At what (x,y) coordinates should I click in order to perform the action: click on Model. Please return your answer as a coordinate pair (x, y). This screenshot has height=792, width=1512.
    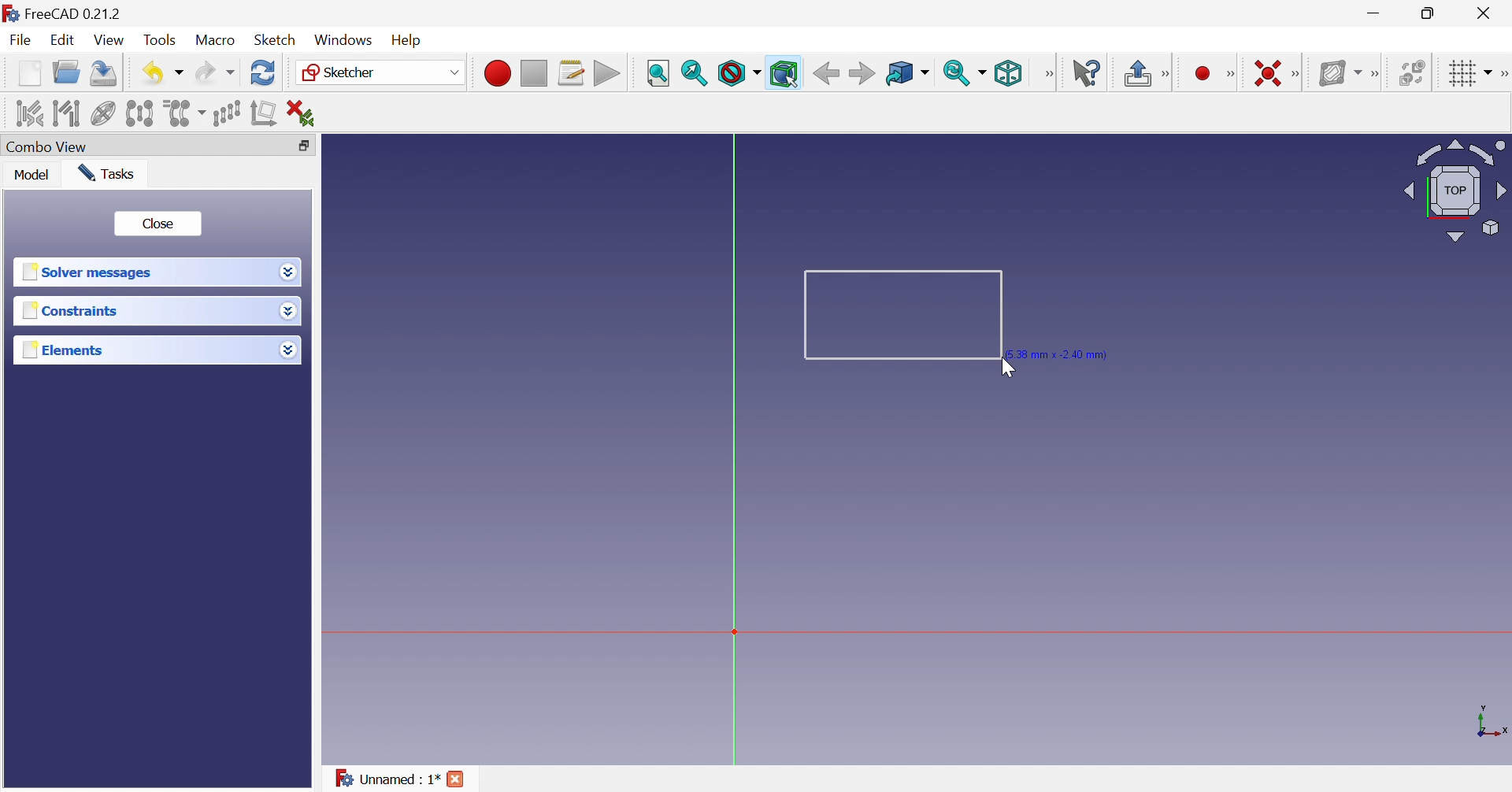
    Looking at the image, I should click on (31, 175).